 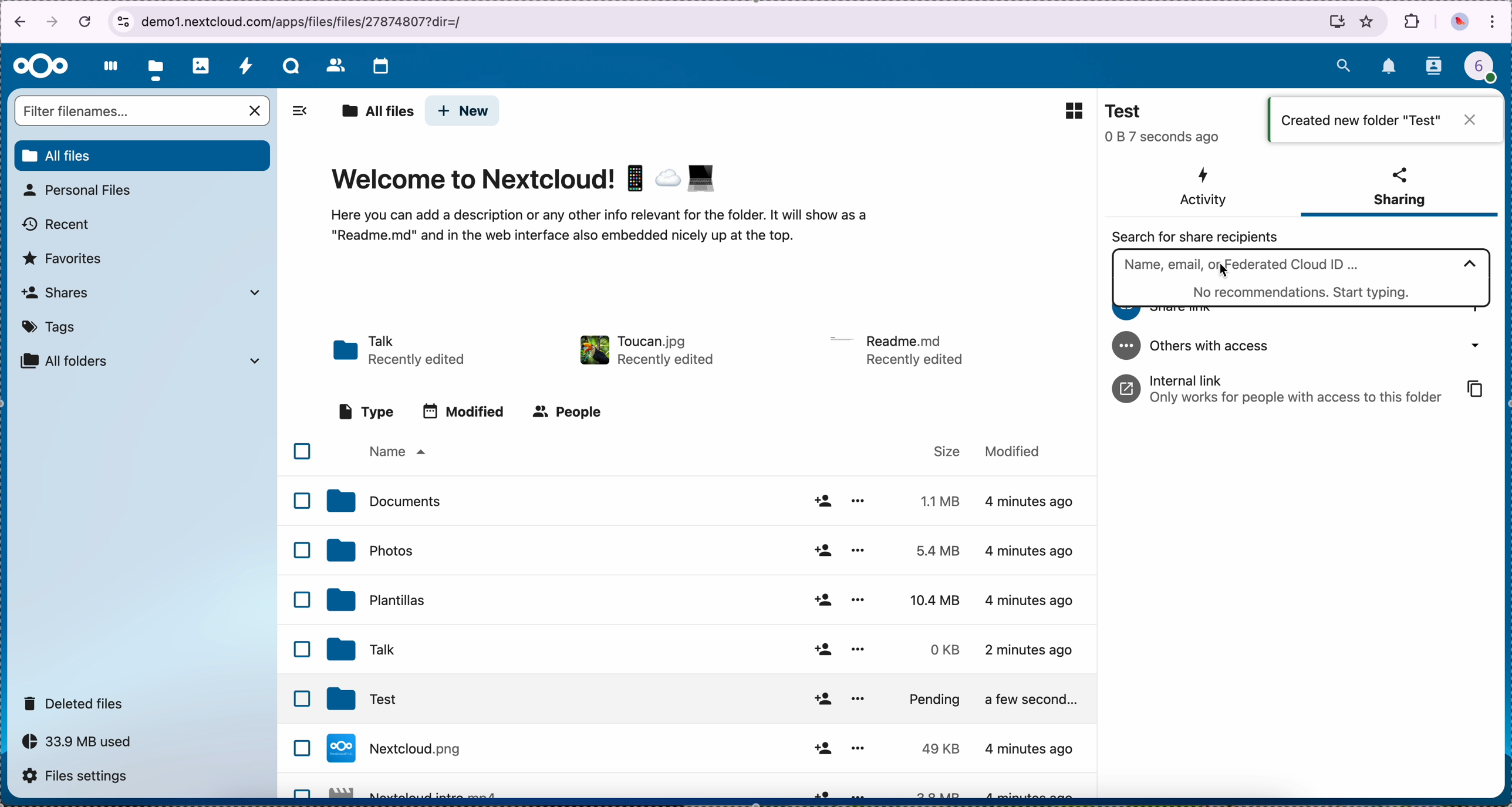 What do you see at coordinates (699, 650) in the screenshot?
I see `Talk` at bounding box center [699, 650].